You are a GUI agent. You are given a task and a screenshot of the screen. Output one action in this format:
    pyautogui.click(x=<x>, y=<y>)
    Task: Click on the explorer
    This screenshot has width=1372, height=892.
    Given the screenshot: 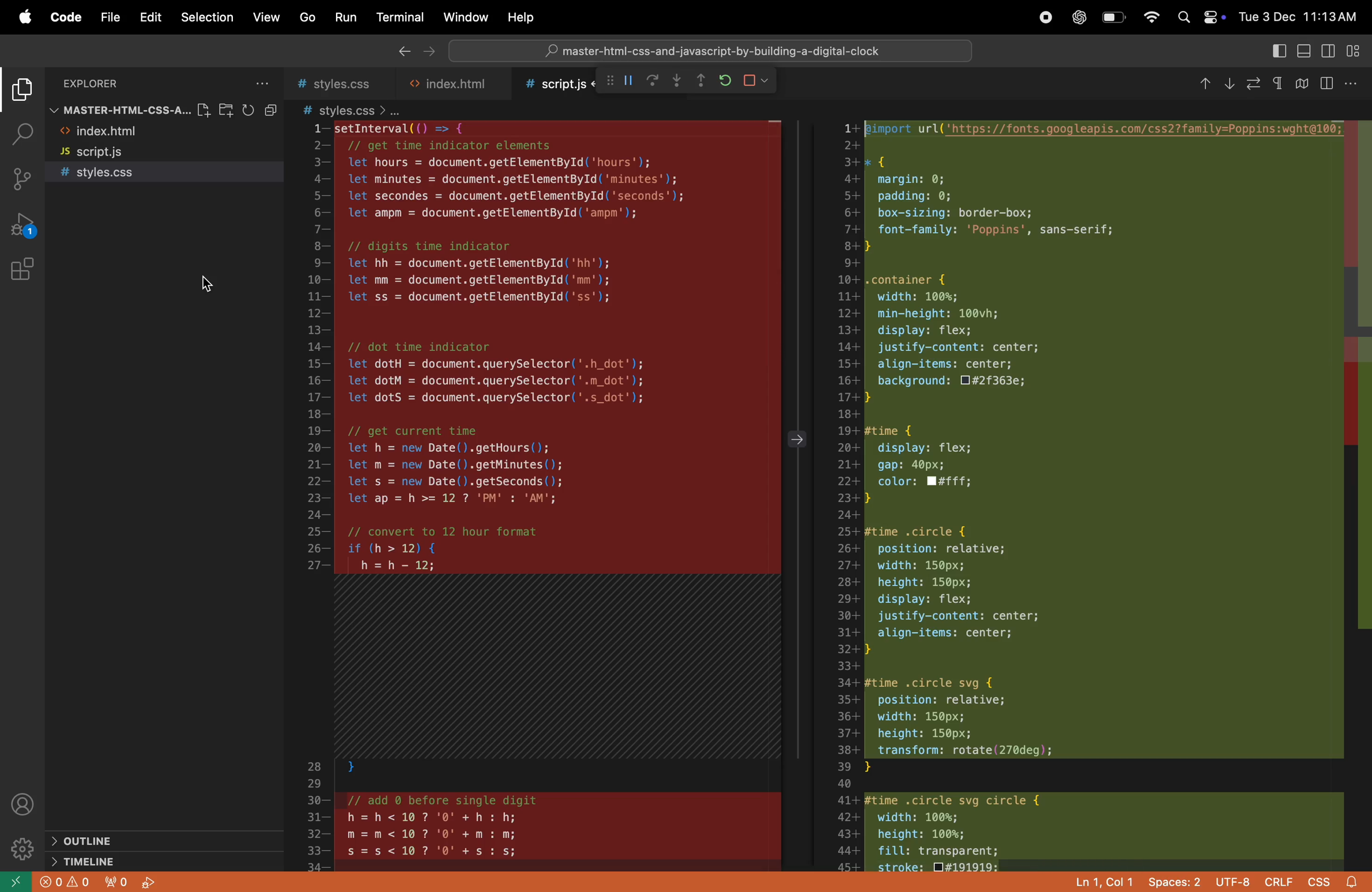 What is the action you would take?
    pyautogui.click(x=20, y=91)
    